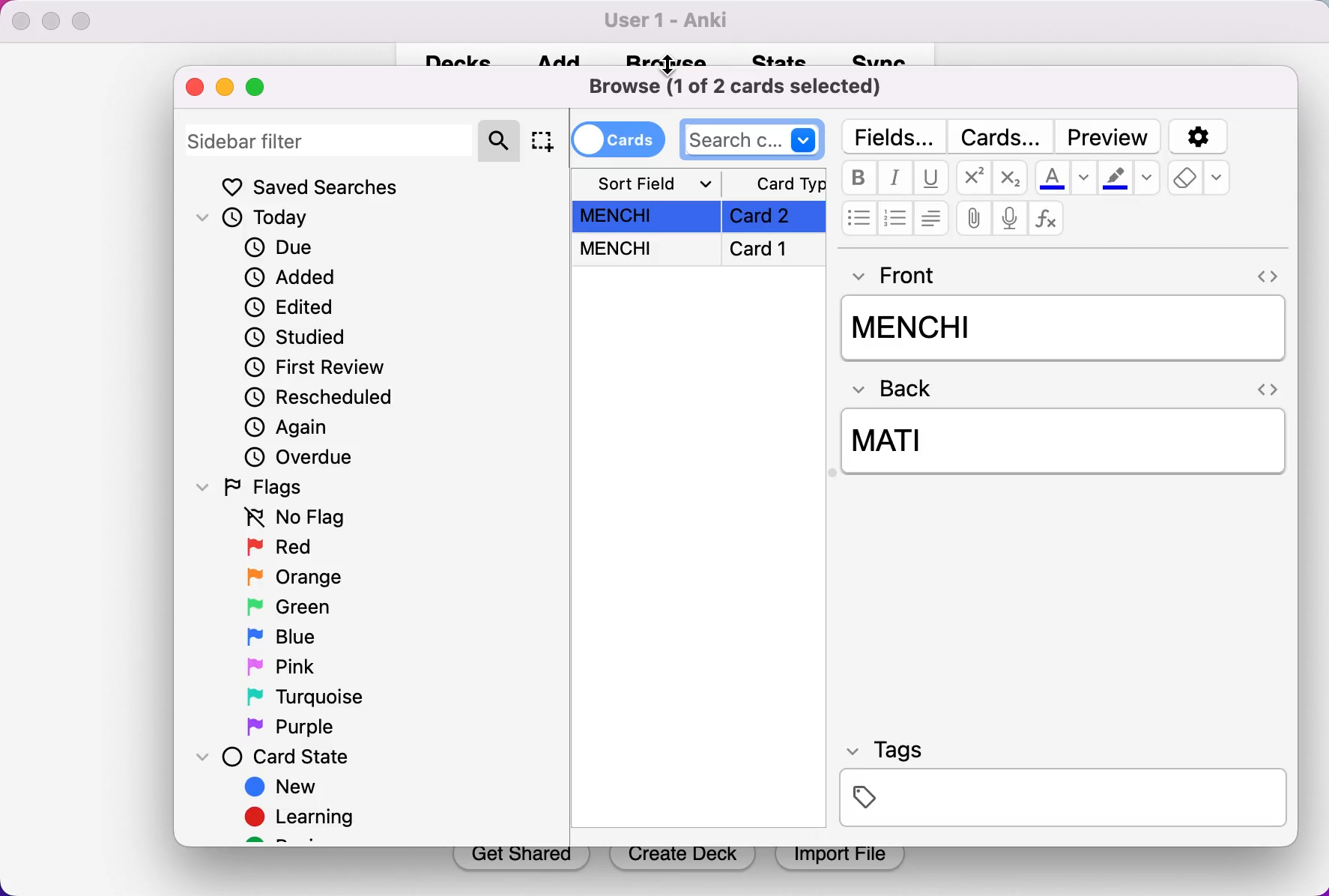 The height and width of the screenshot is (896, 1329). Describe the element at coordinates (1063, 787) in the screenshot. I see `tags` at that location.